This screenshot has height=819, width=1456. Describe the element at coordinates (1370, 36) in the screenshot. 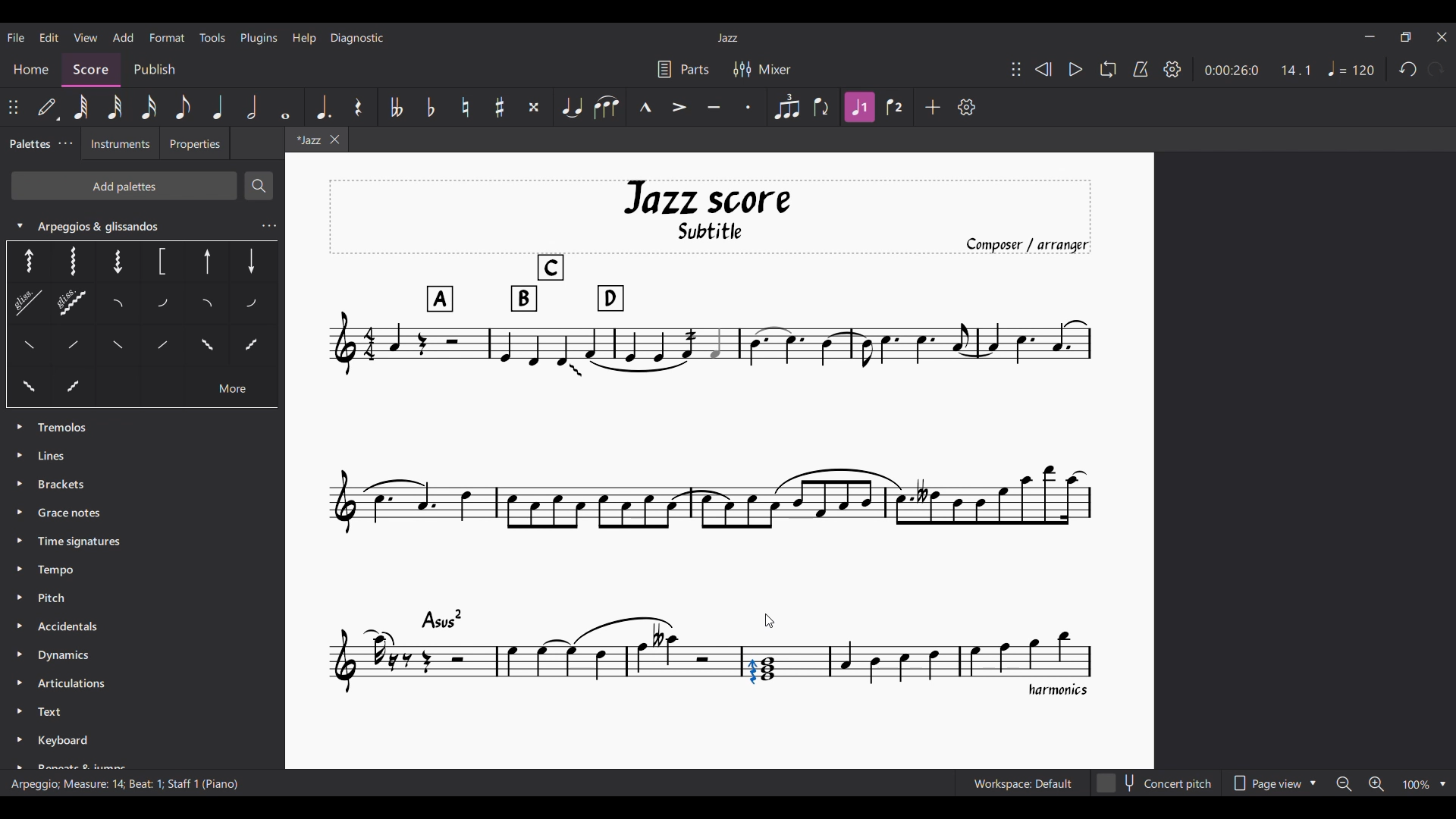

I see `Minimize` at that location.